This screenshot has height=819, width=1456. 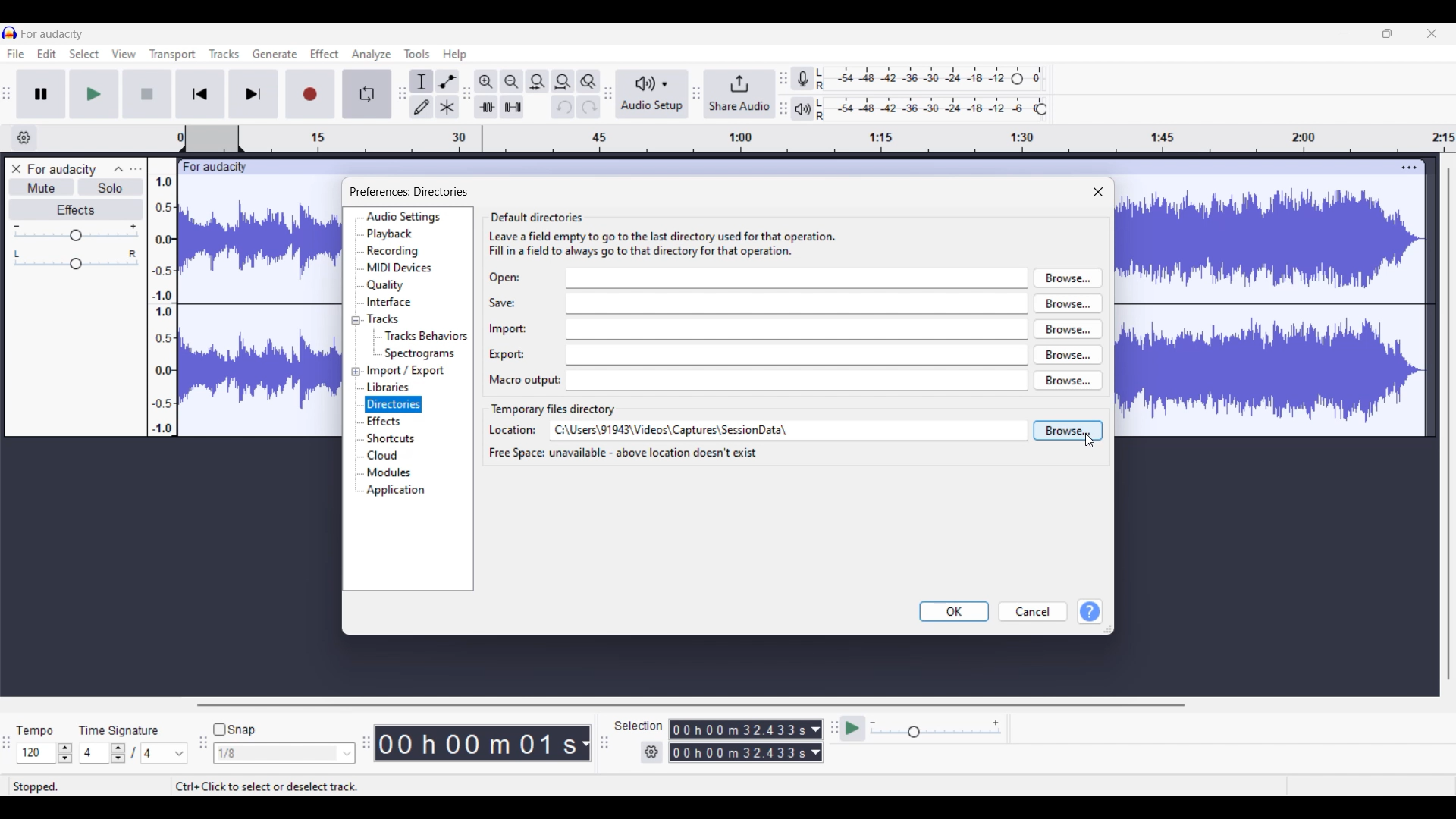 I want to click on Play at speed/Play at speed once, so click(x=853, y=729).